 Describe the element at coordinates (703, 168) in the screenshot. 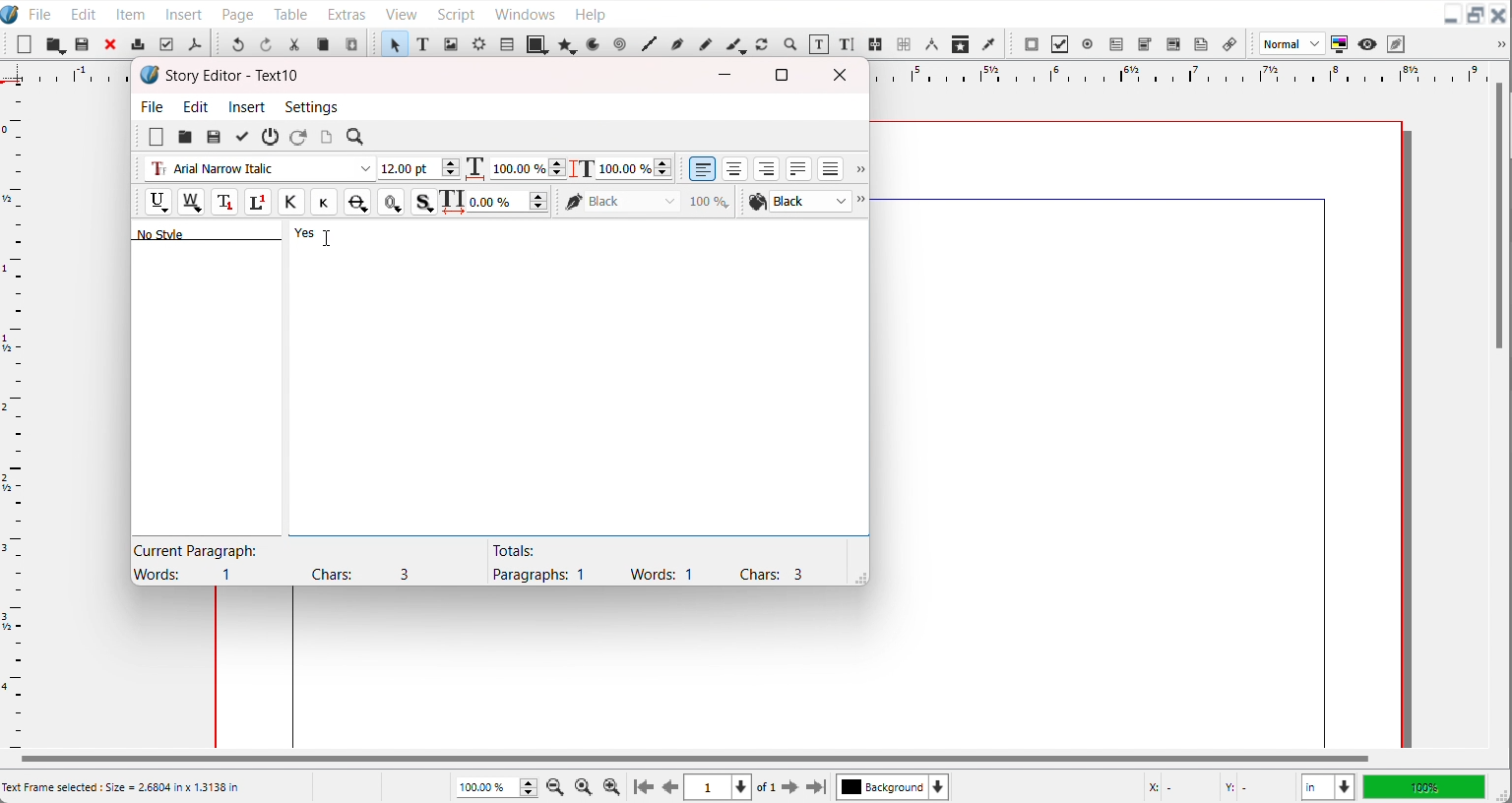

I see `Align text left` at that location.